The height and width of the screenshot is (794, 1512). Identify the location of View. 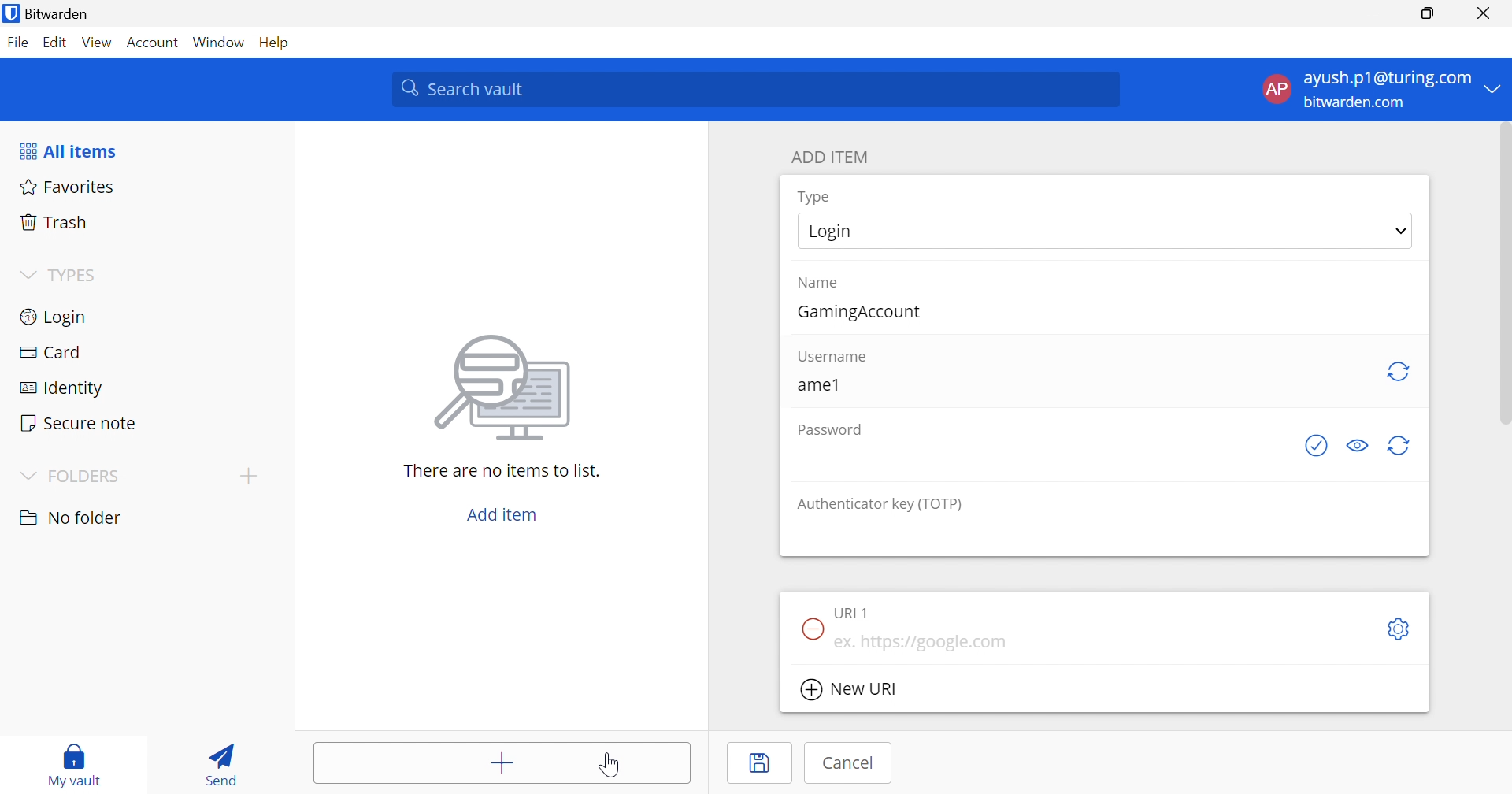
(100, 43).